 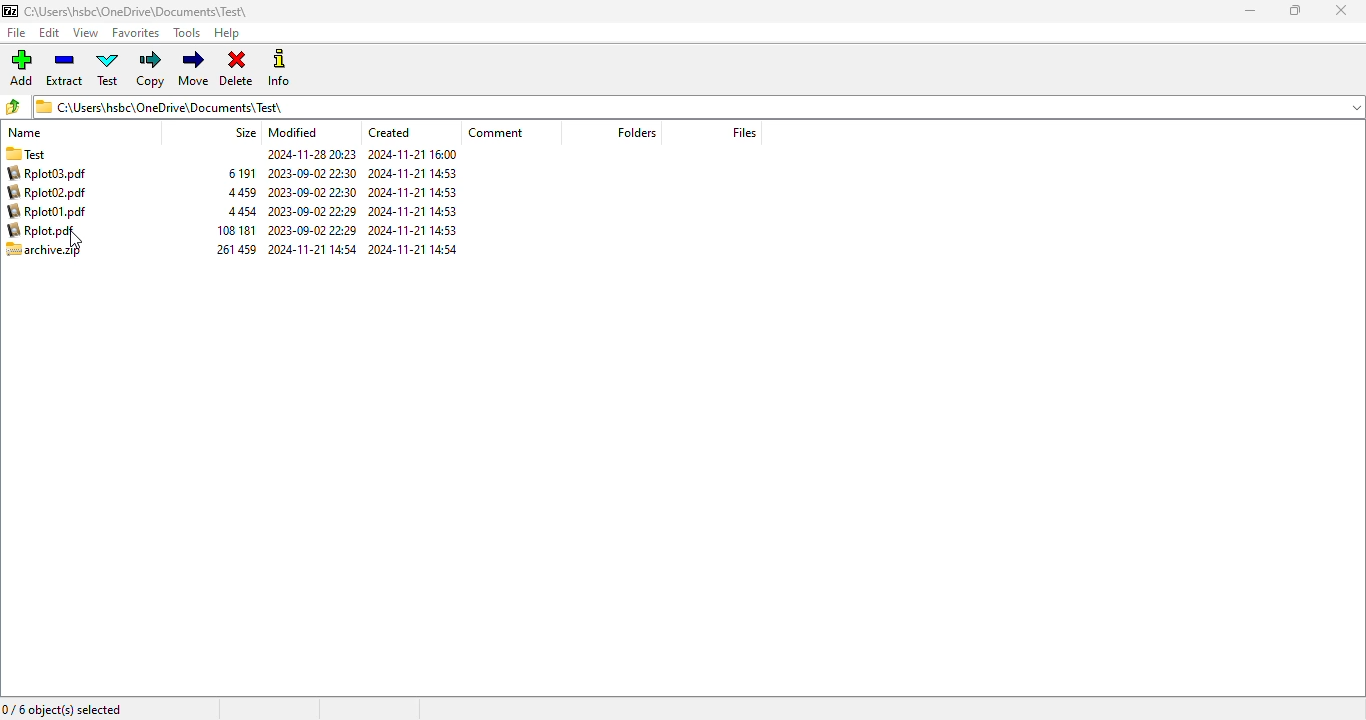 I want to click on cursor, so click(x=75, y=240).